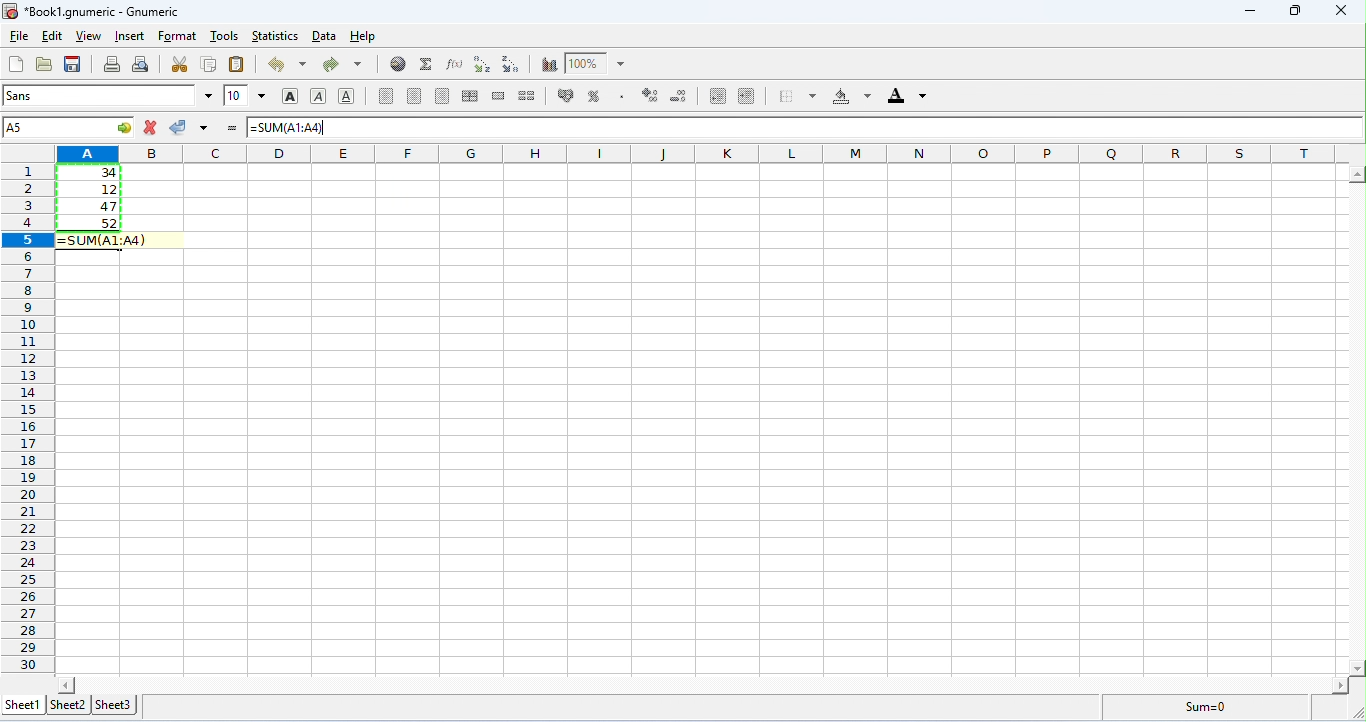 The height and width of the screenshot is (722, 1366). What do you see at coordinates (719, 96) in the screenshot?
I see `decrease indent` at bounding box center [719, 96].